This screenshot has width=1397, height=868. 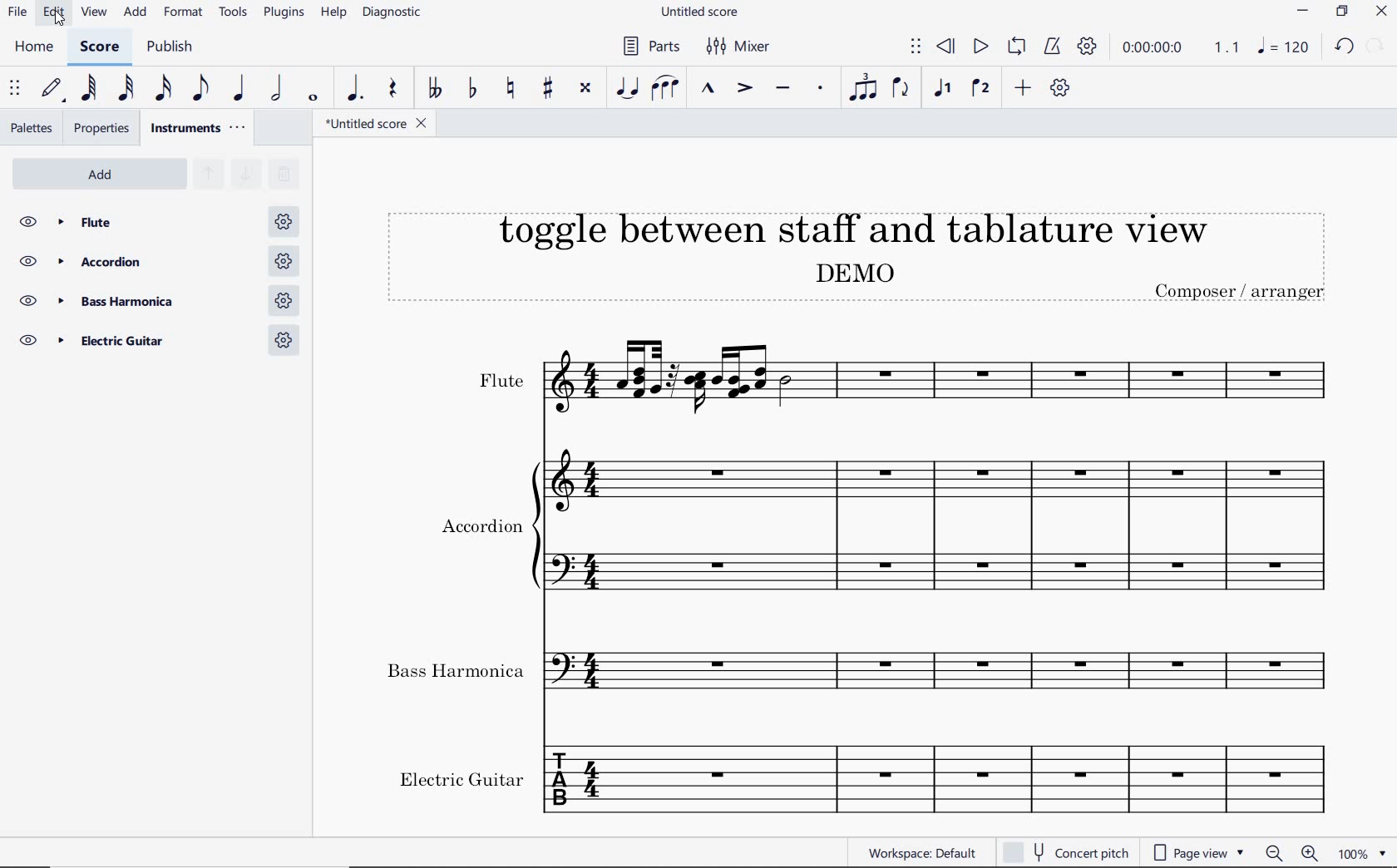 What do you see at coordinates (1291, 853) in the screenshot?
I see `zoom out or zoom in` at bounding box center [1291, 853].